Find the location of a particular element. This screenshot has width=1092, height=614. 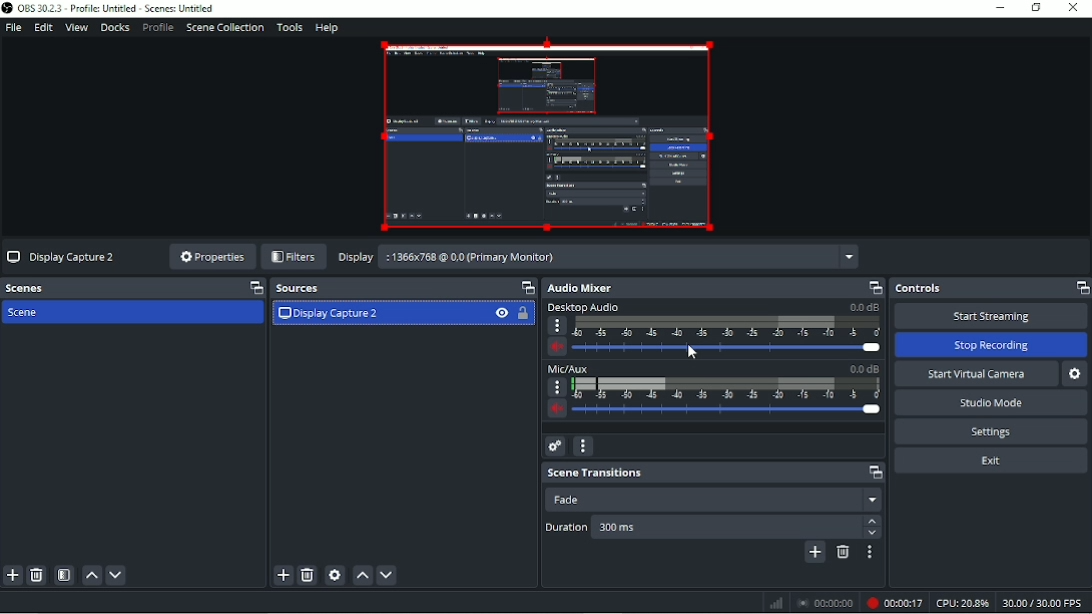

Edit is located at coordinates (43, 28).